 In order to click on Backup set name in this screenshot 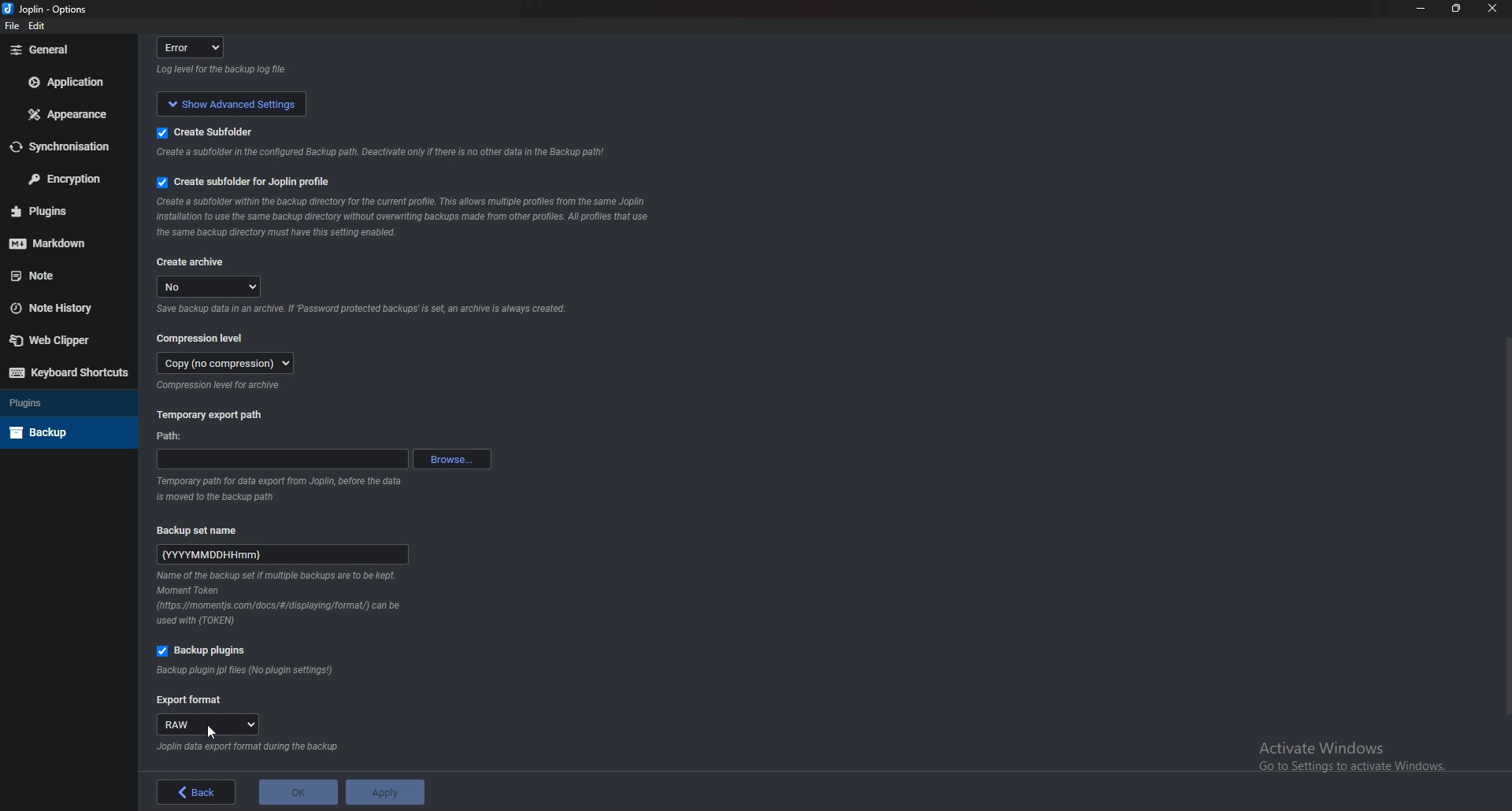, I will do `click(206, 529)`.